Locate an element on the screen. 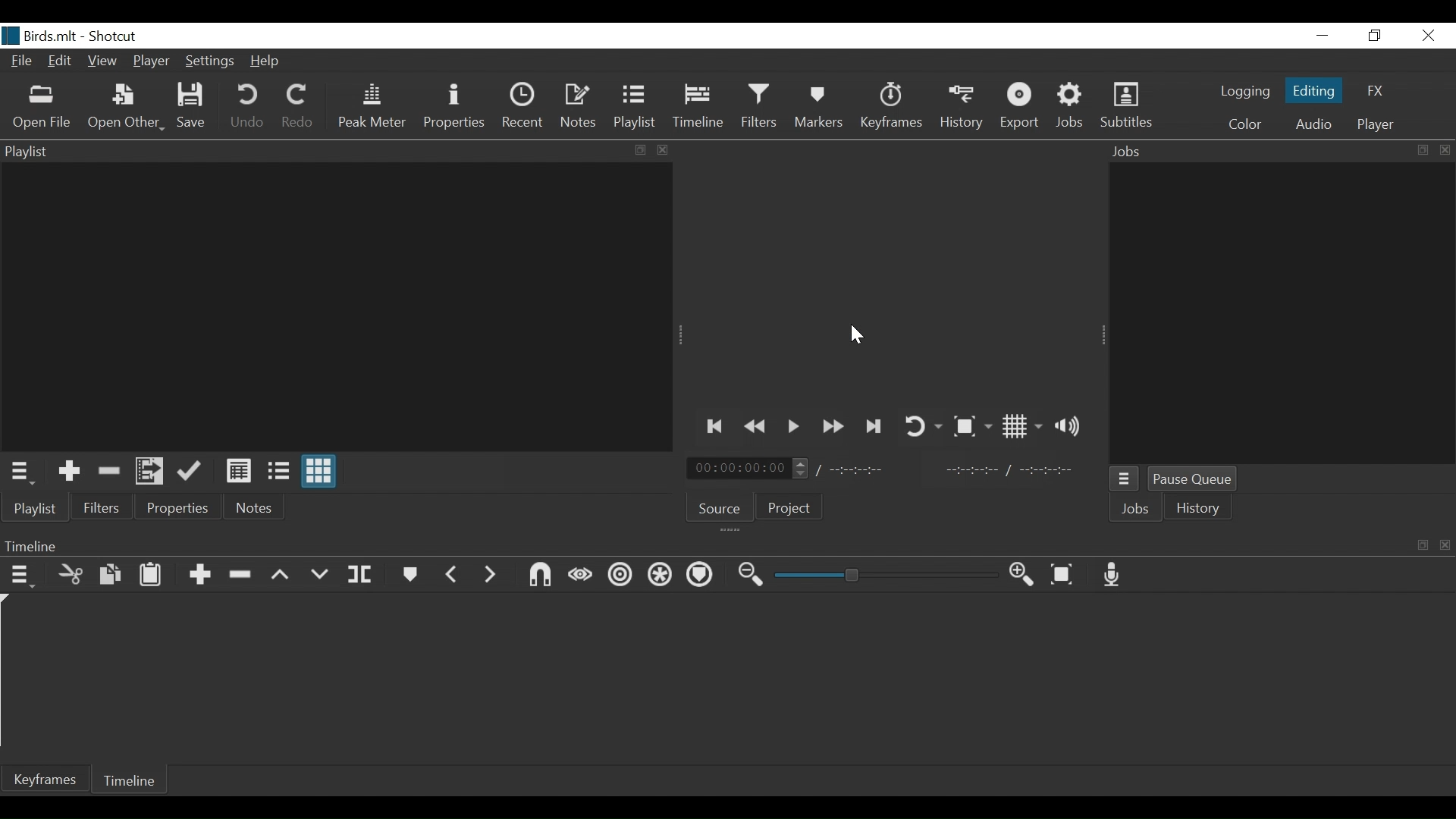 This screenshot has width=1456, height=819. View as Detail is located at coordinates (238, 471).